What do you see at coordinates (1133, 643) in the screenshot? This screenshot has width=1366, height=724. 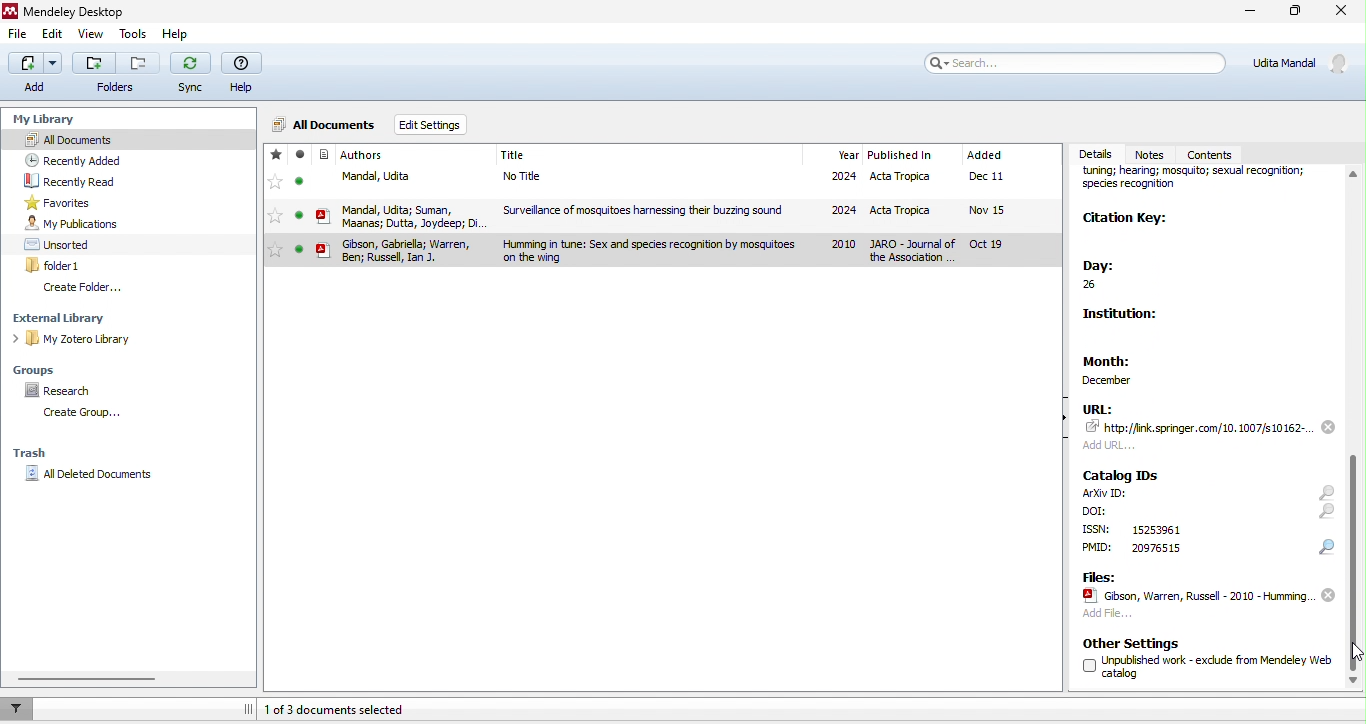 I see `other settings` at bounding box center [1133, 643].